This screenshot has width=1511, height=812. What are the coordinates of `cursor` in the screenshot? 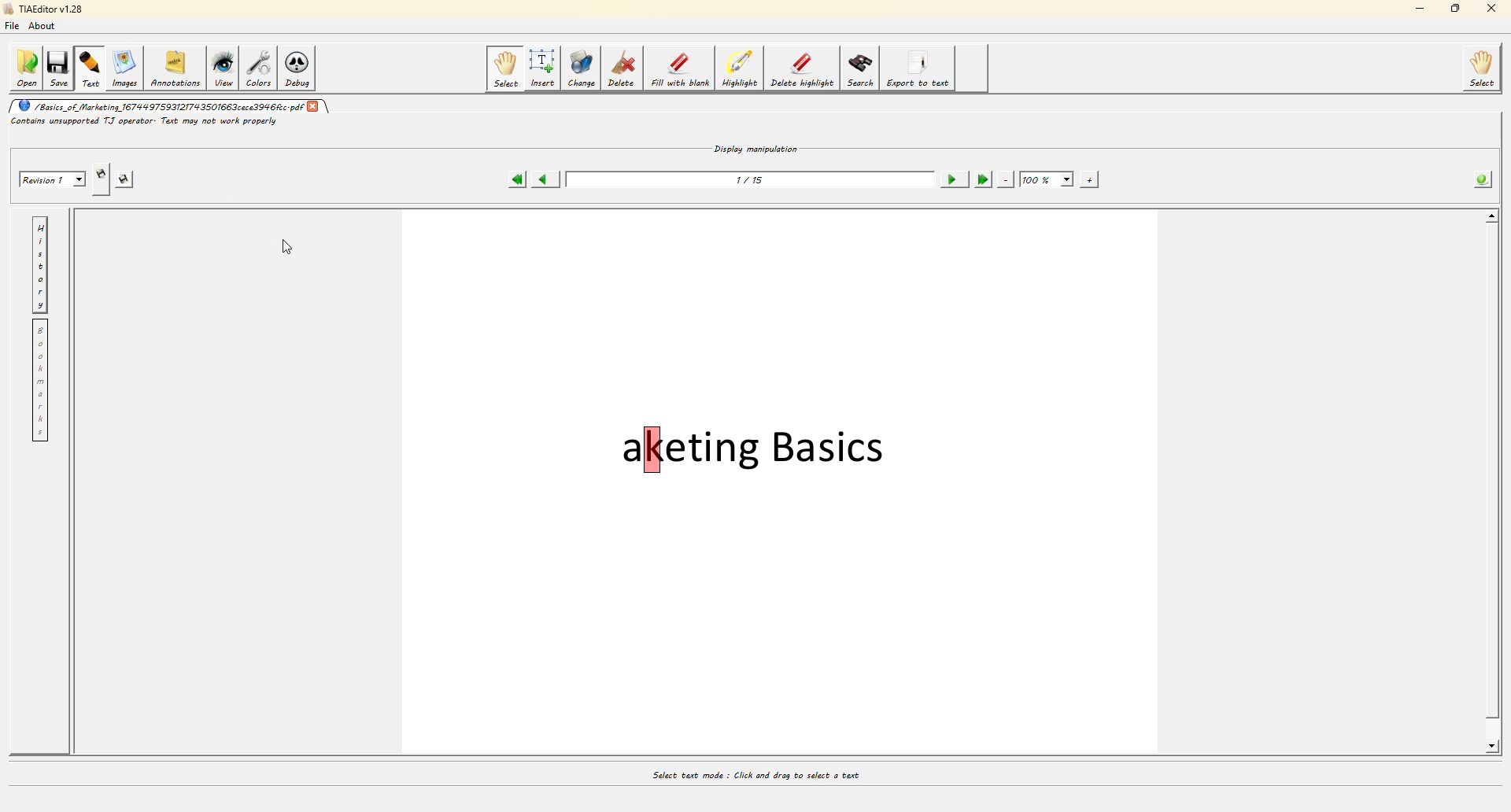 It's located at (291, 248).